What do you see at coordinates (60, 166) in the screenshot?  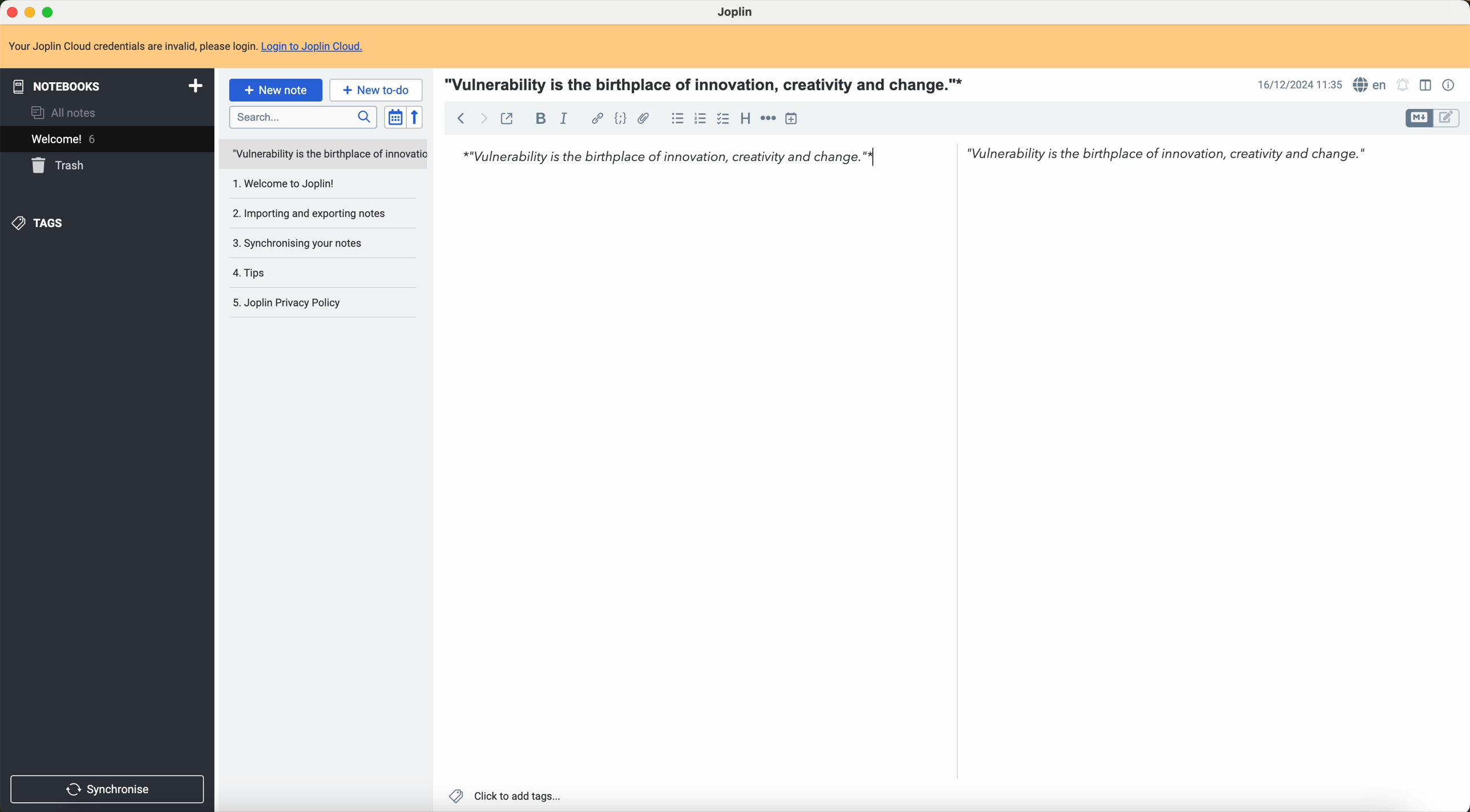 I see `trash` at bounding box center [60, 166].